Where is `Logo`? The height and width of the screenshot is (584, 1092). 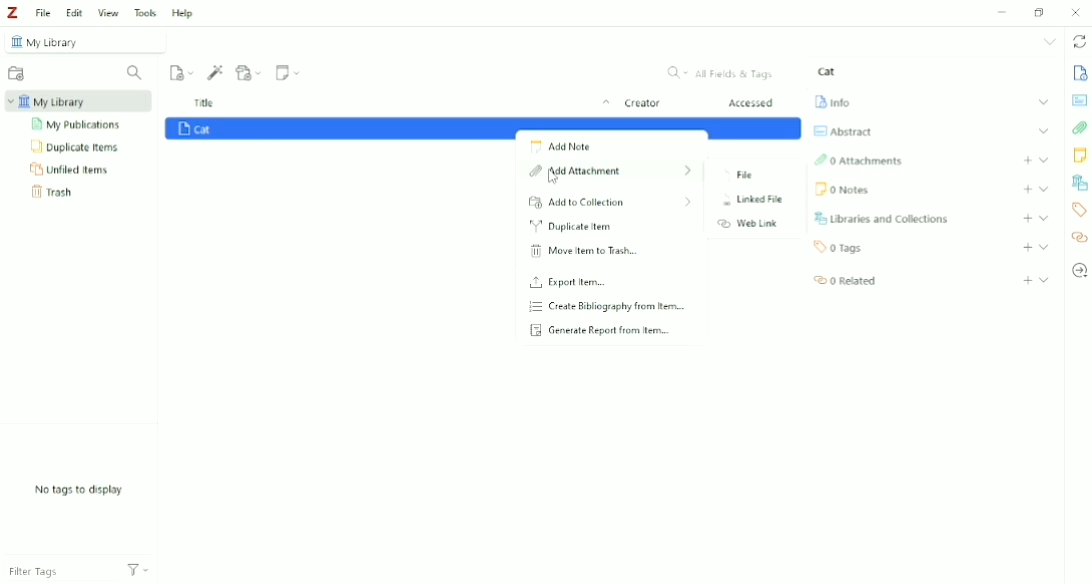
Logo is located at coordinates (12, 12).